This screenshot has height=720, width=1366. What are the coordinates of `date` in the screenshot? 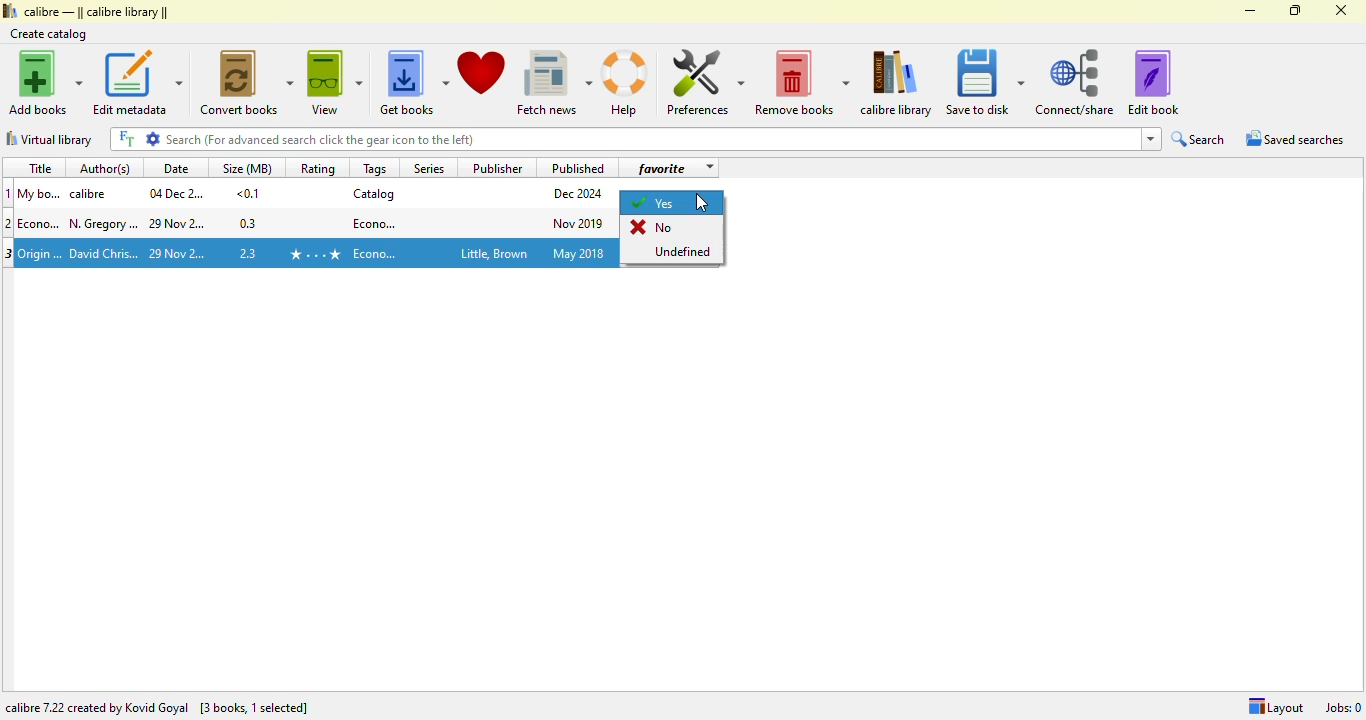 It's located at (179, 254).